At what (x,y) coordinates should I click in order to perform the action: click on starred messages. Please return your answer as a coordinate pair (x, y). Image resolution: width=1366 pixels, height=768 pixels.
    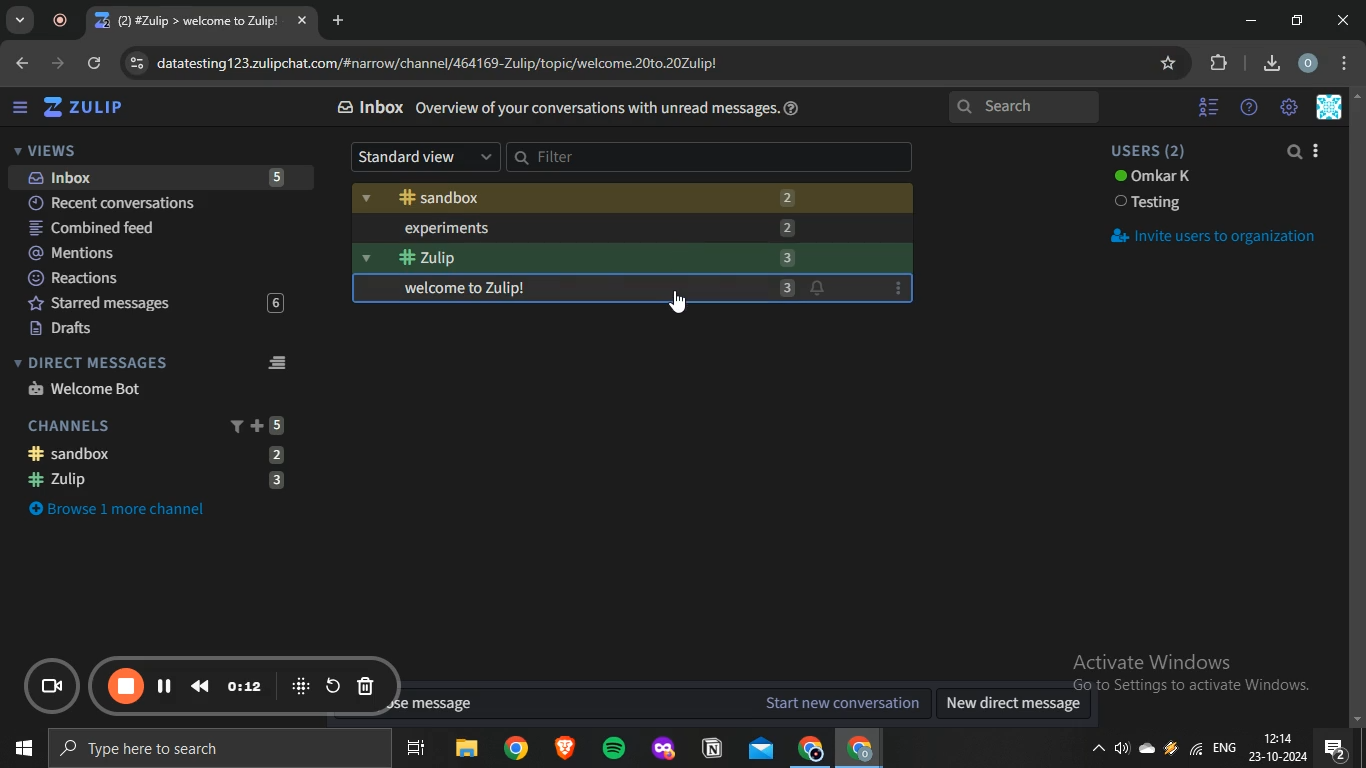
    Looking at the image, I should click on (151, 304).